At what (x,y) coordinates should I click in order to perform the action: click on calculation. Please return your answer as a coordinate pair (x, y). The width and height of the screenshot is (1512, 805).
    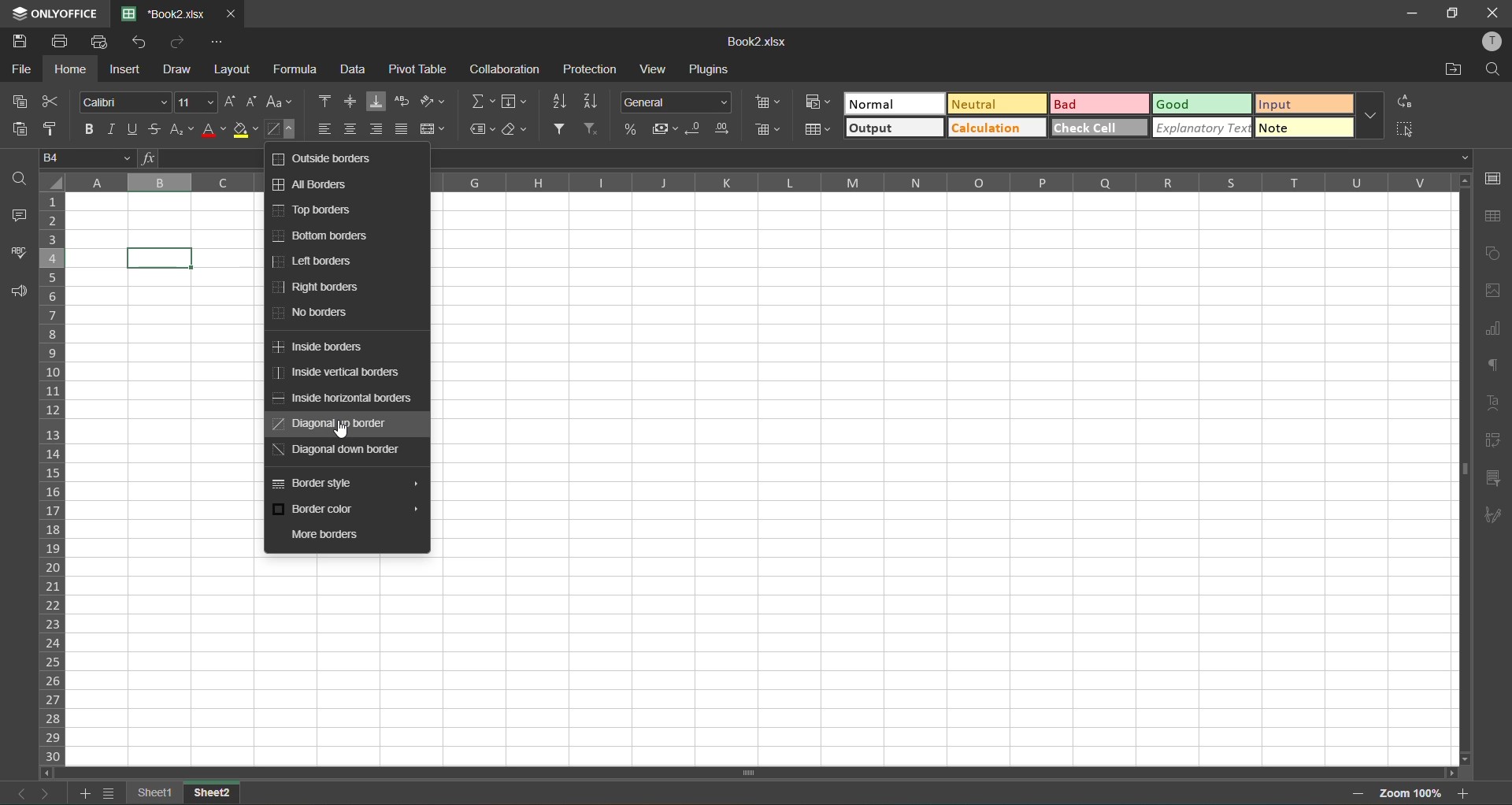
    Looking at the image, I should click on (999, 128).